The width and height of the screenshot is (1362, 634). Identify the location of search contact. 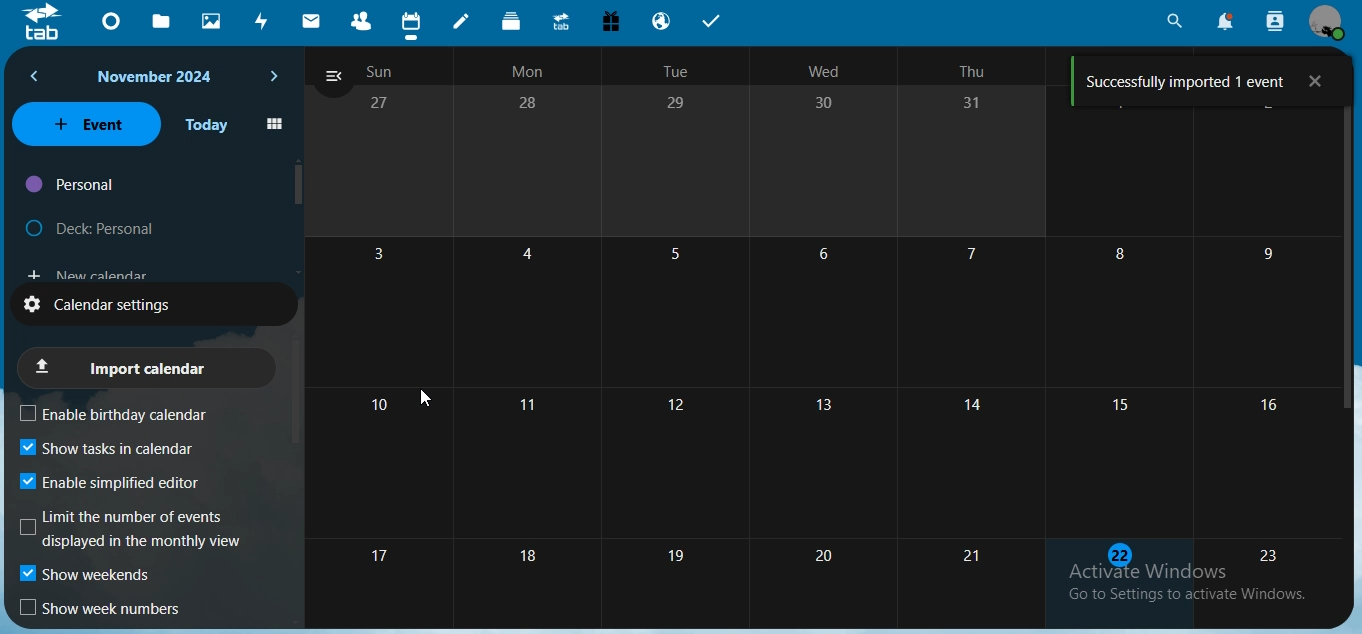
(1274, 19).